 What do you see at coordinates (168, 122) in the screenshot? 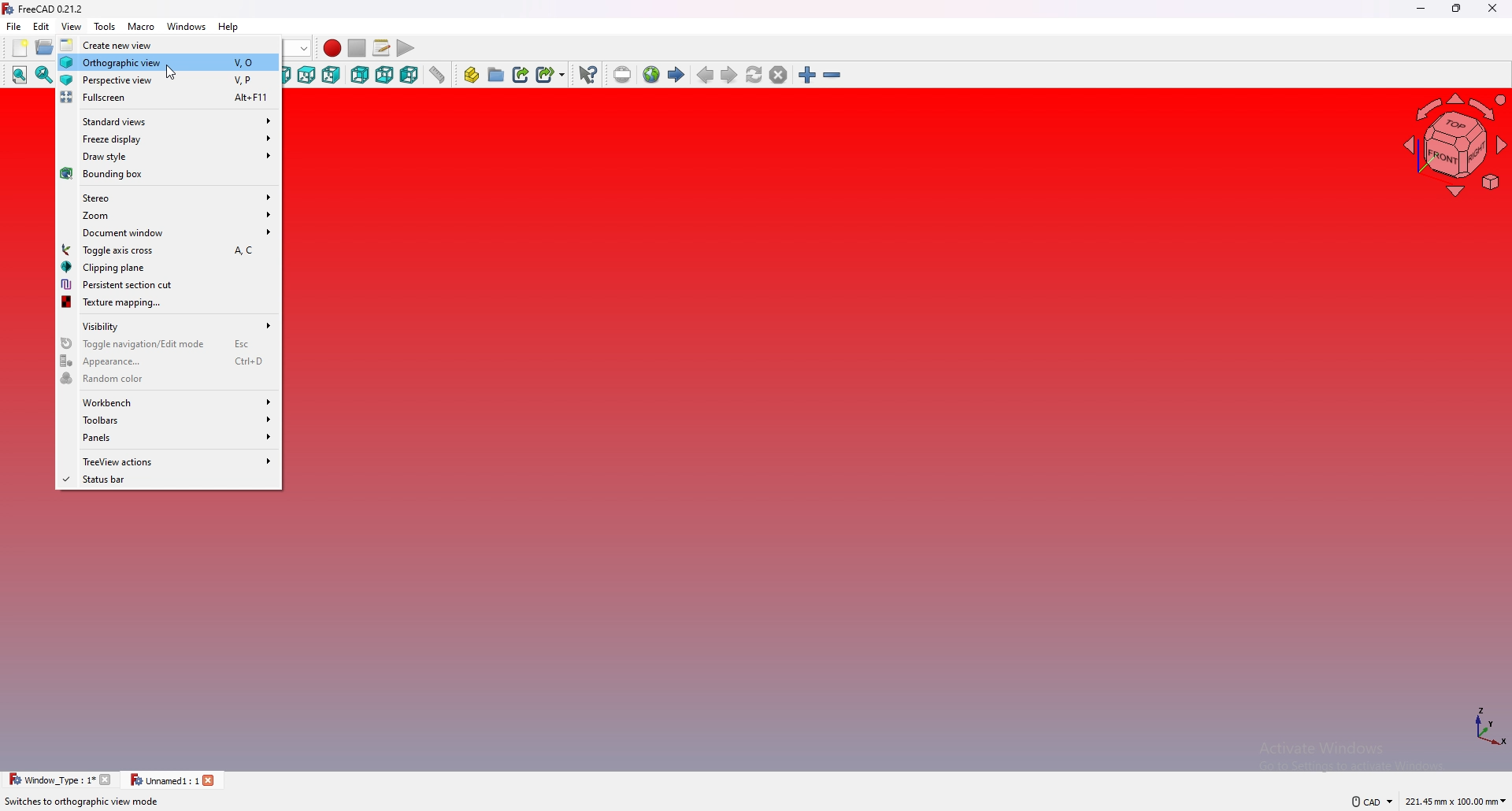
I see `standard views` at bounding box center [168, 122].